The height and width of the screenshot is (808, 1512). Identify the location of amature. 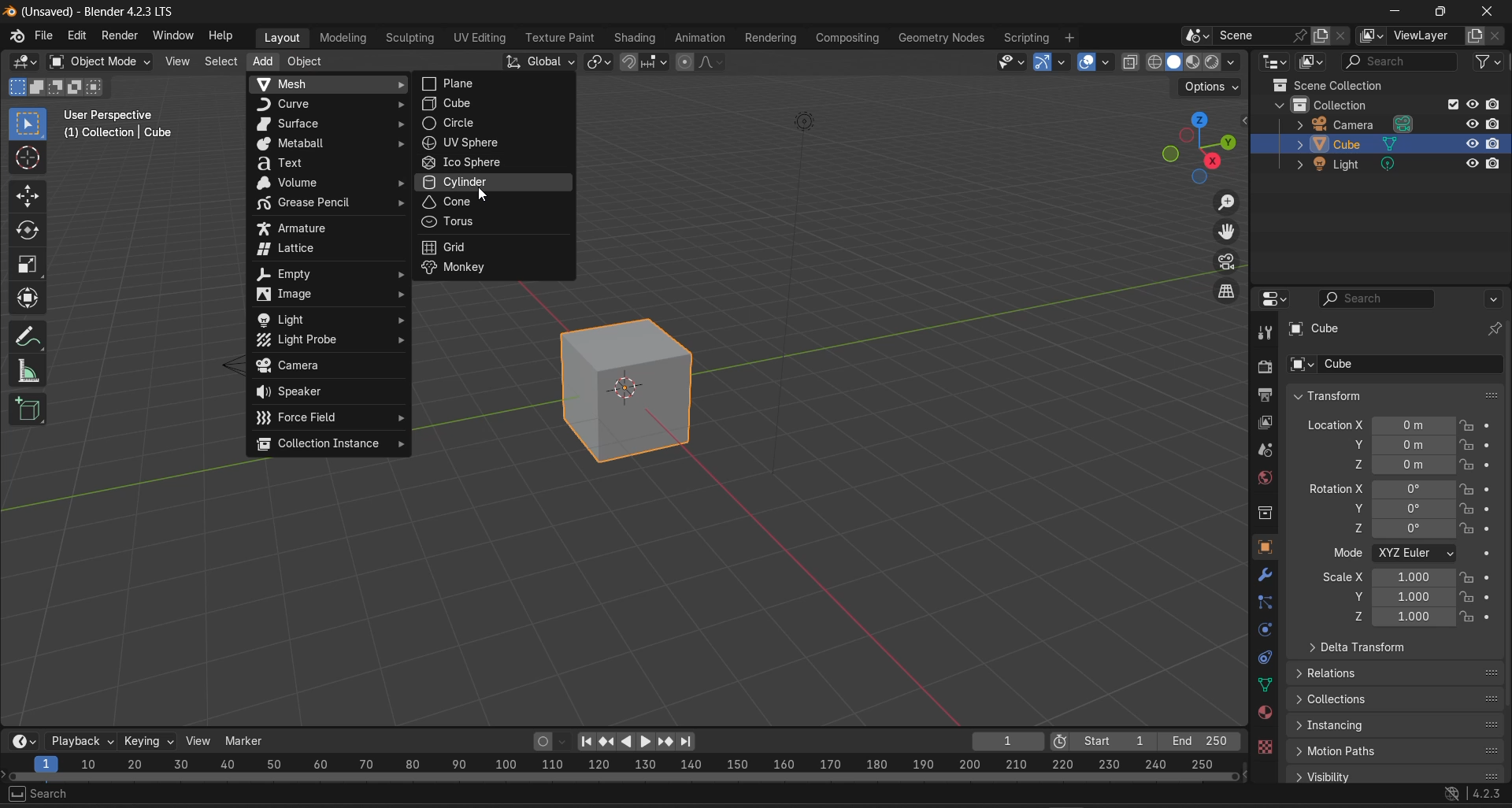
(331, 226).